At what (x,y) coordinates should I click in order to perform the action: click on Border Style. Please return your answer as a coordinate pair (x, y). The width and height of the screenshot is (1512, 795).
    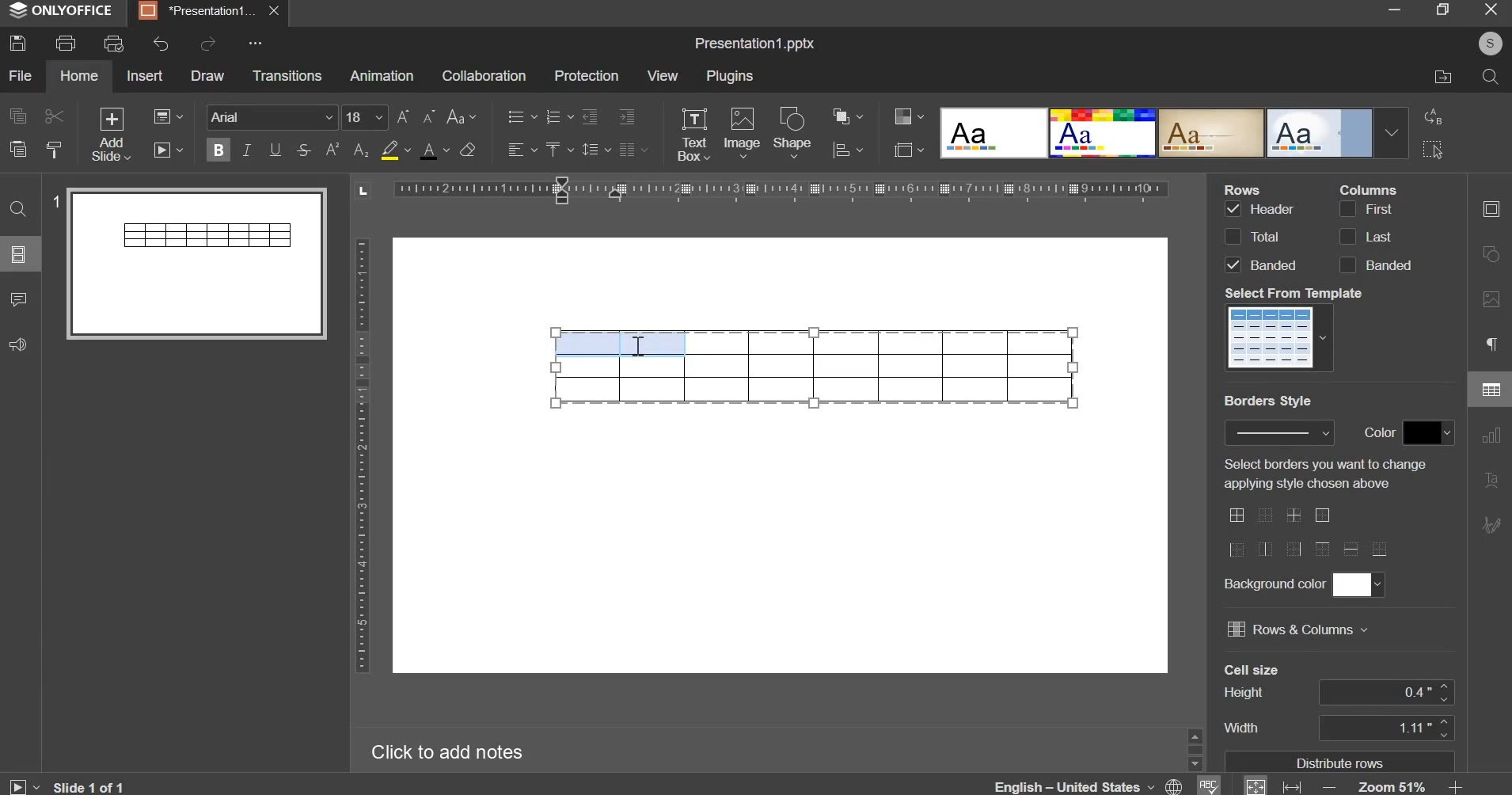
    Looking at the image, I should click on (1268, 401).